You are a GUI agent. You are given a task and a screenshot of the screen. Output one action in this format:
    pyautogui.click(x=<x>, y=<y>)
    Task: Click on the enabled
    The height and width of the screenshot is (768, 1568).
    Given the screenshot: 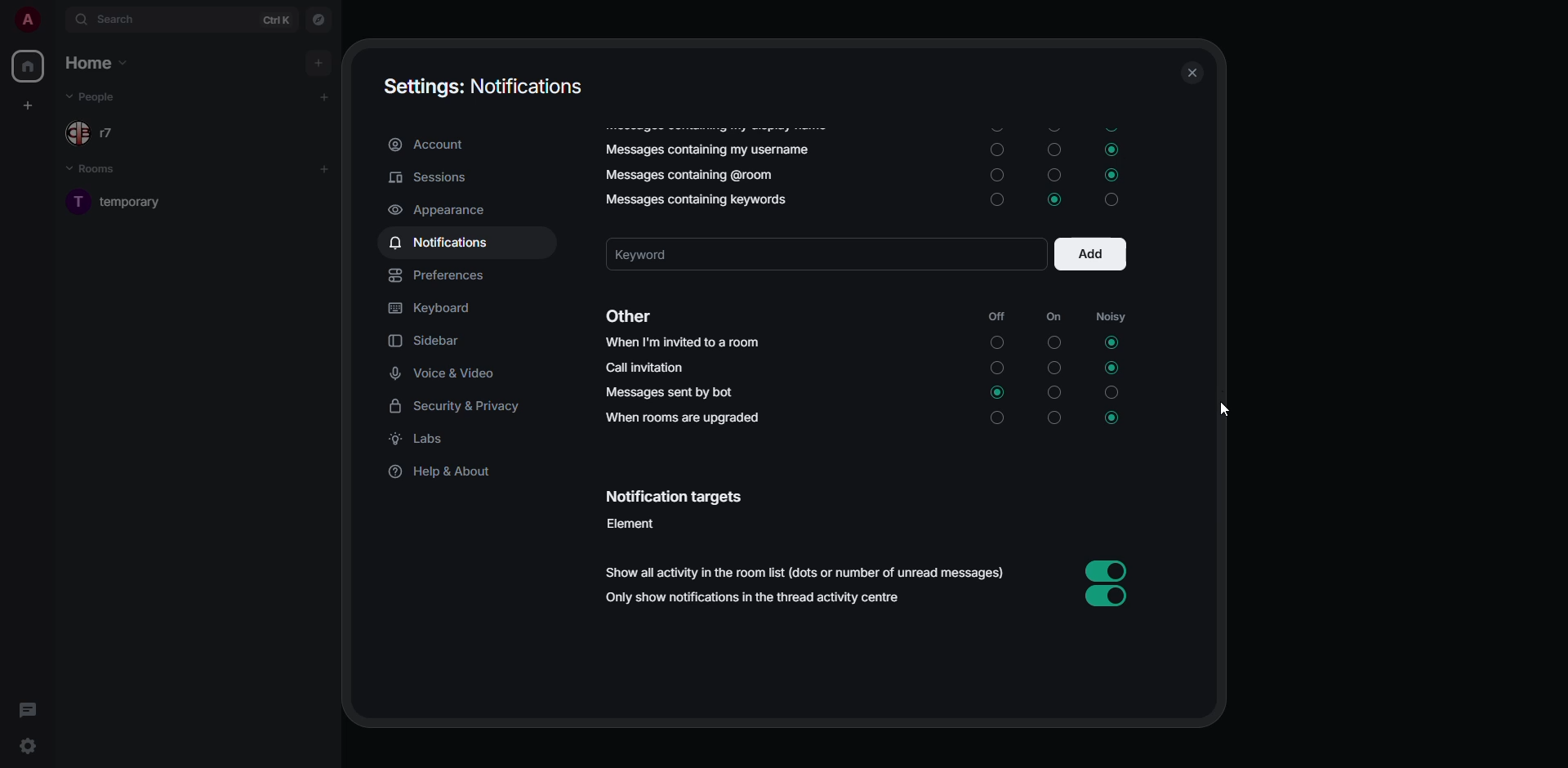 What is the action you would take?
    pyautogui.click(x=1104, y=597)
    